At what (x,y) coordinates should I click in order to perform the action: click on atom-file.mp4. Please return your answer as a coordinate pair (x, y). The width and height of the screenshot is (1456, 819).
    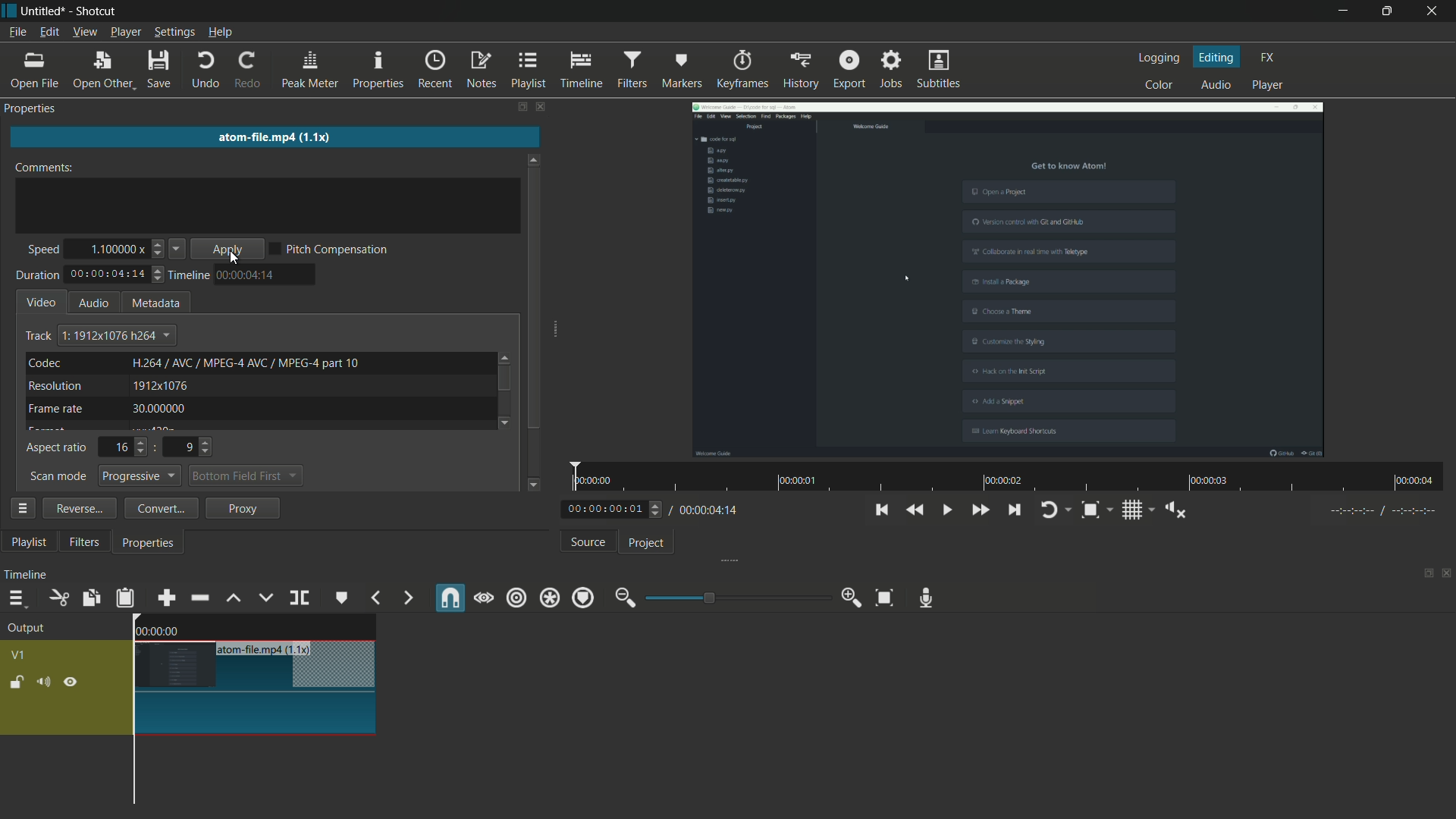
    Looking at the image, I should click on (246, 649).